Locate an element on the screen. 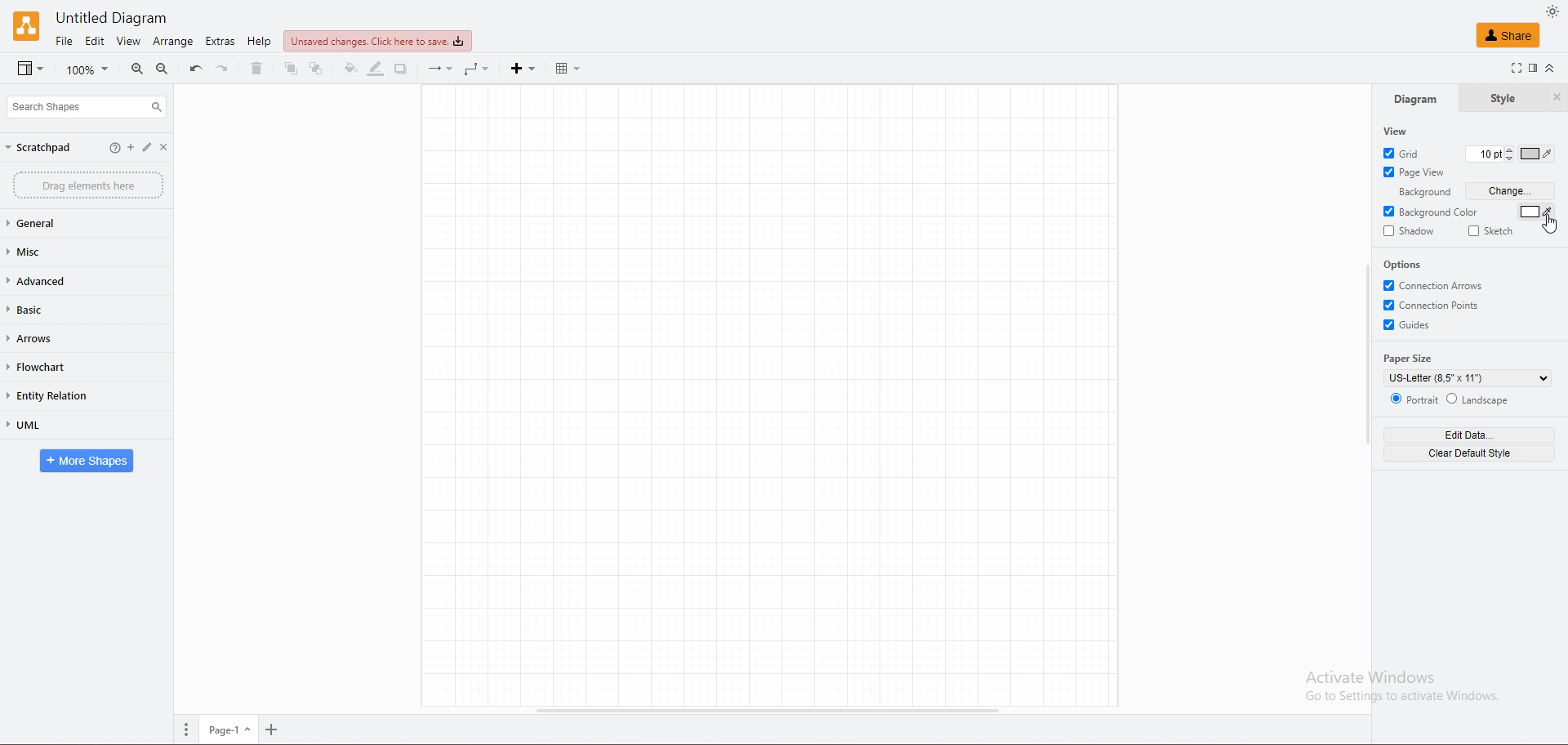  dark mode is located at coordinates (1552, 11).